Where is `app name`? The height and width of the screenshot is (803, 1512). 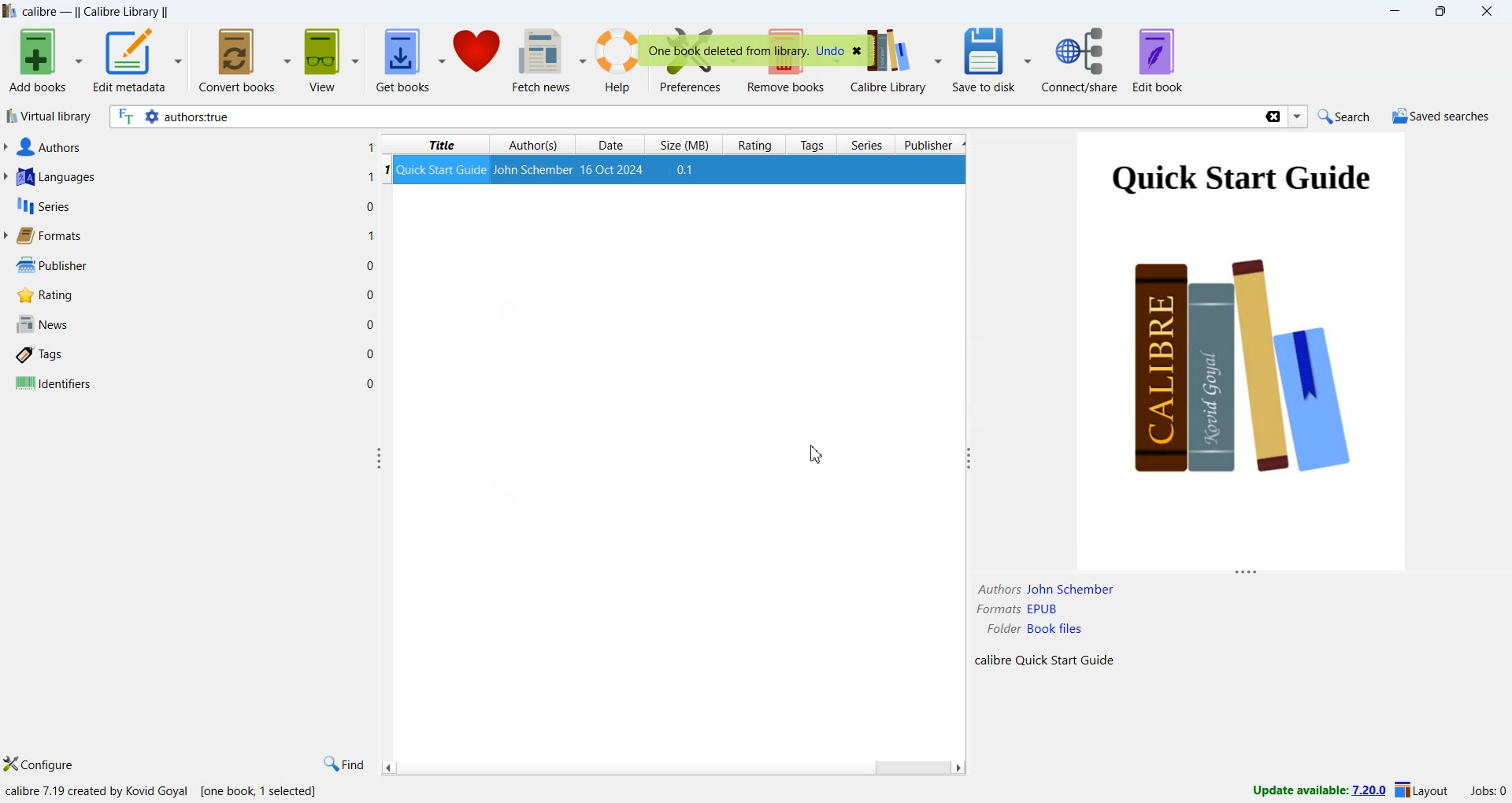
app name is located at coordinates (9, 11).